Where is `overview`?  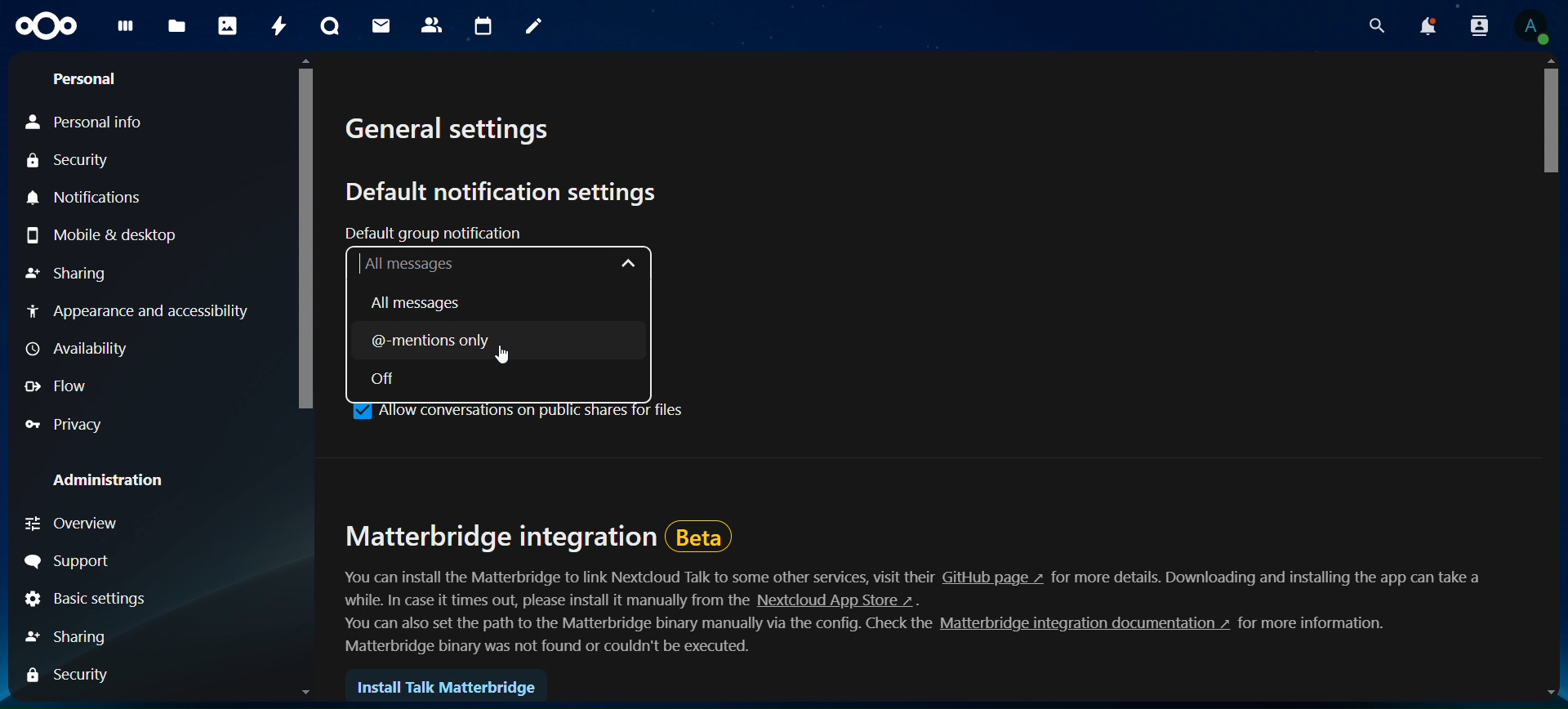
overview is located at coordinates (94, 526).